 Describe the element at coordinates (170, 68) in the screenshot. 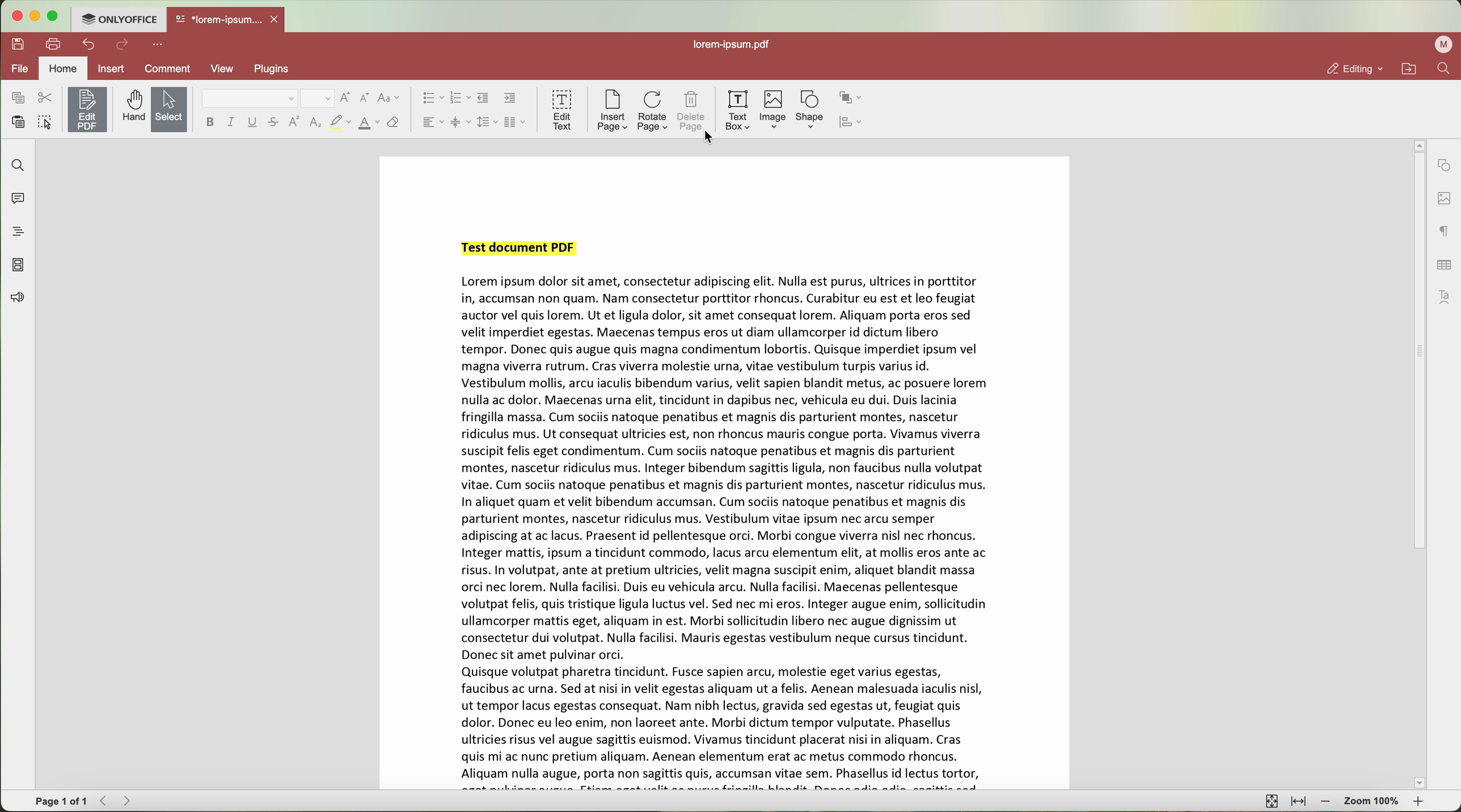

I see `comment` at that location.